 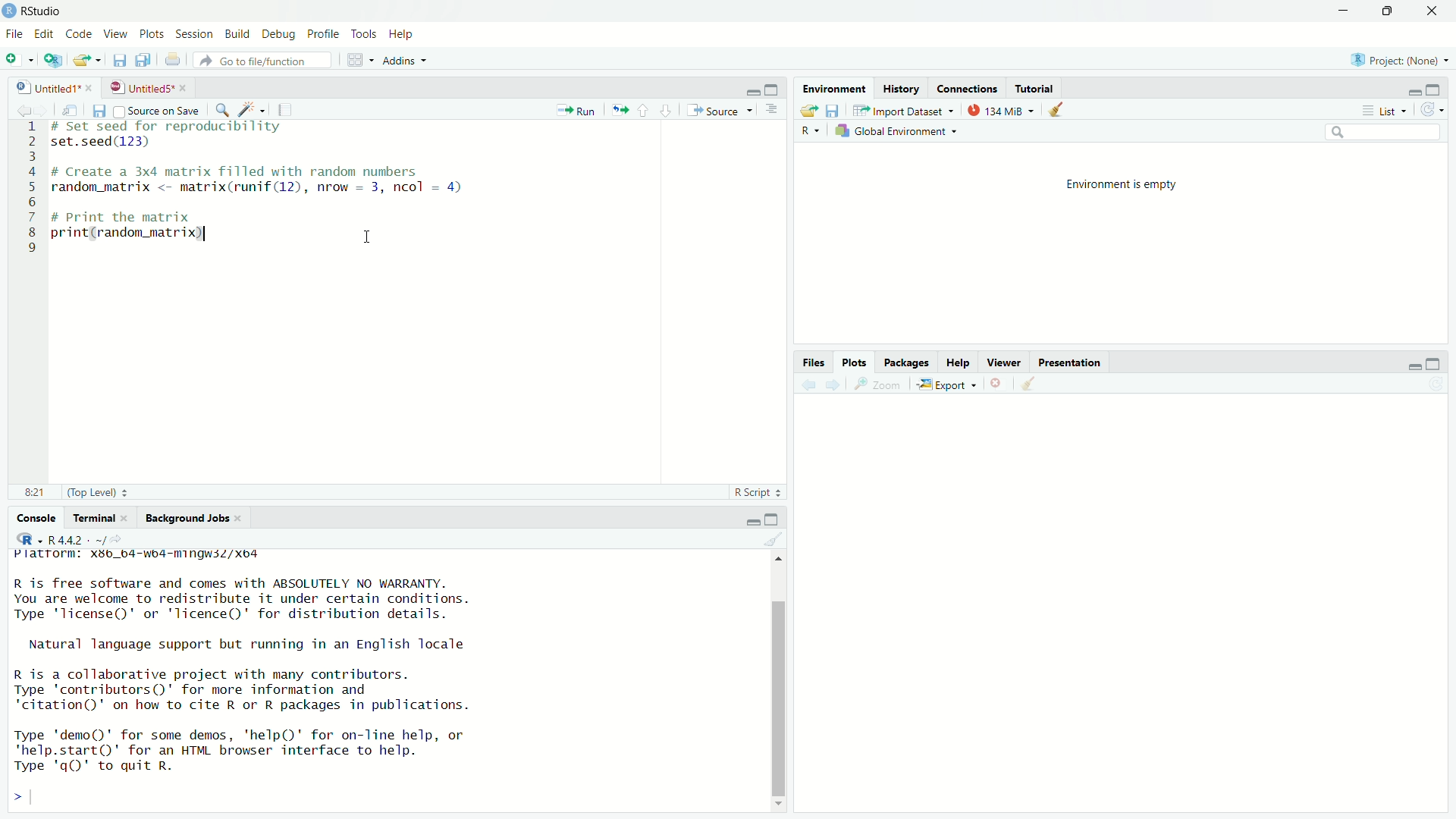 I want to click on grid, so click(x=358, y=61).